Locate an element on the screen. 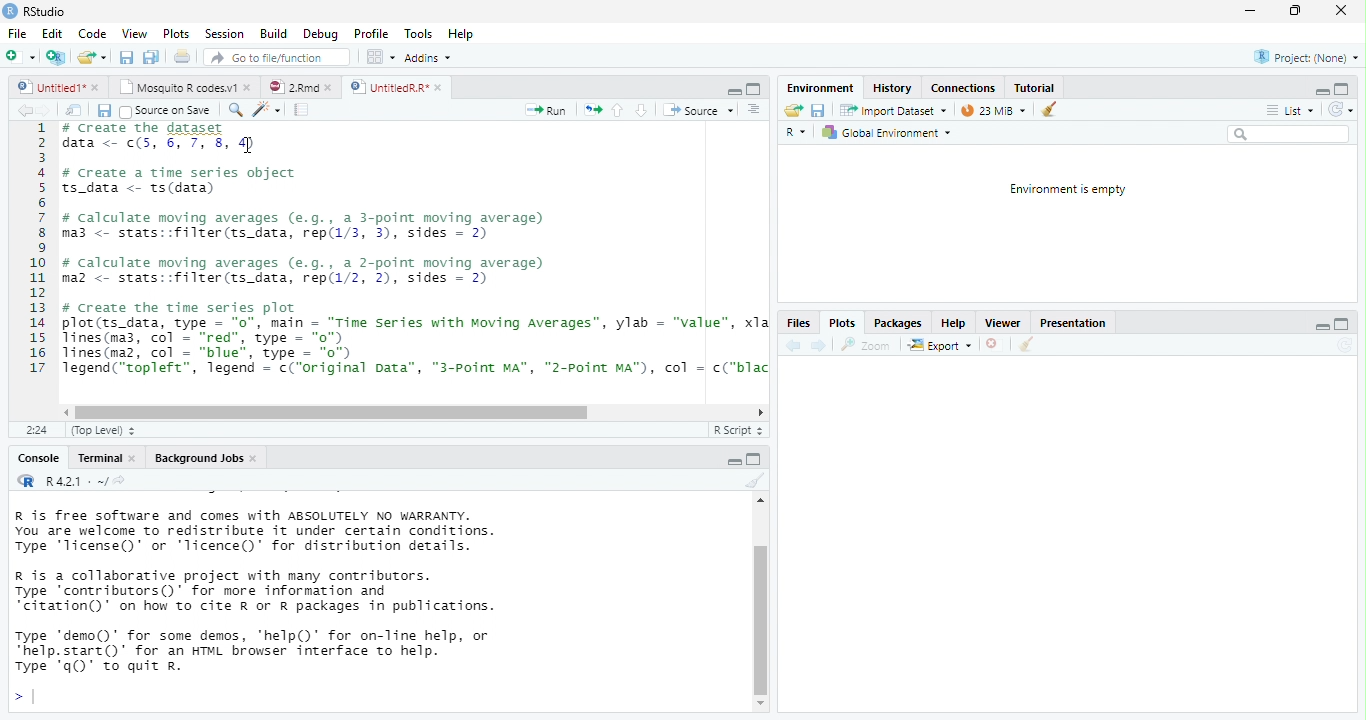  close is located at coordinates (441, 88).